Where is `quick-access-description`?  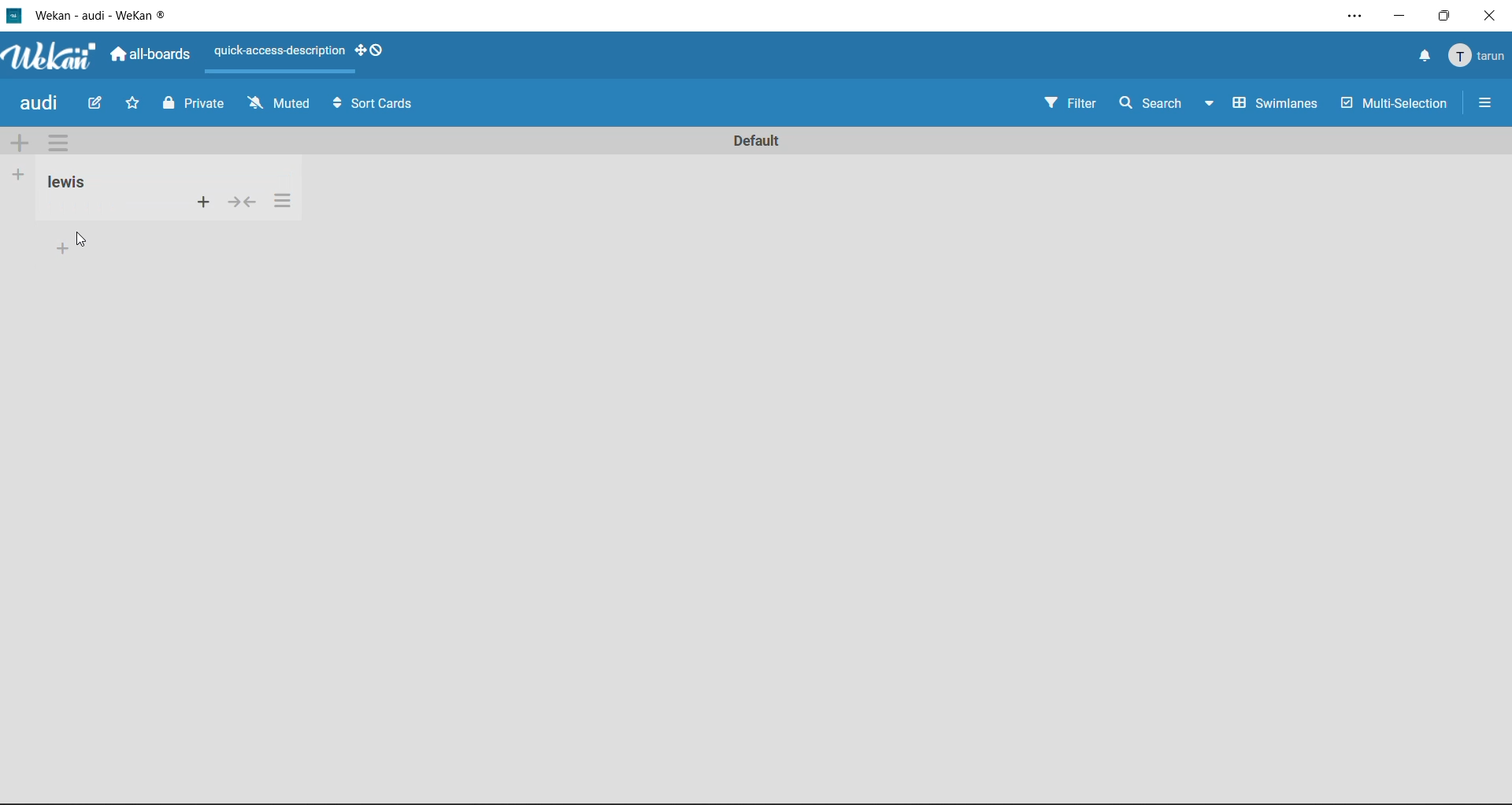 quick-access-description is located at coordinates (280, 50).